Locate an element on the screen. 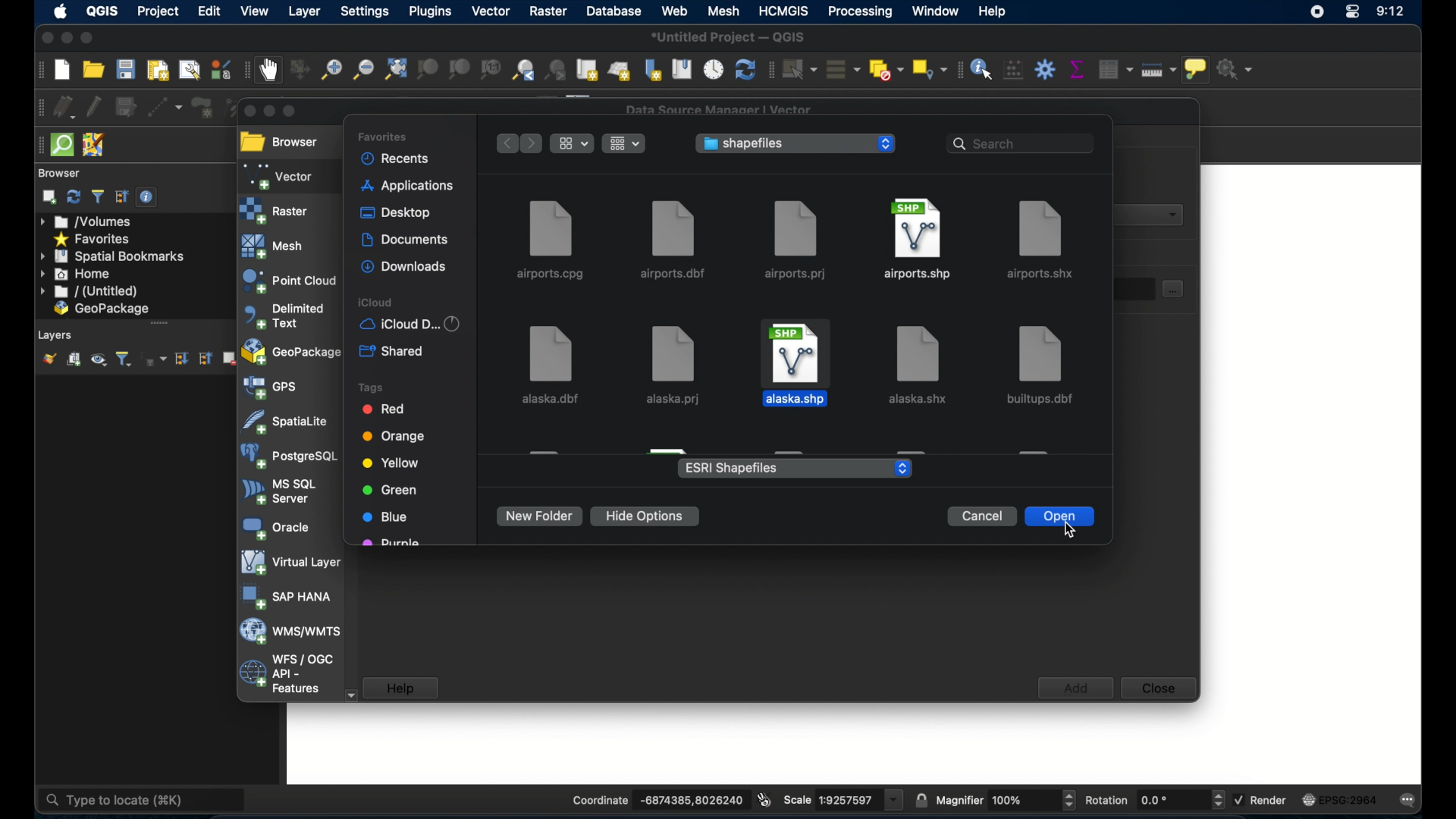 The height and width of the screenshot is (819, 1456). pan map to selection is located at coordinates (300, 70).